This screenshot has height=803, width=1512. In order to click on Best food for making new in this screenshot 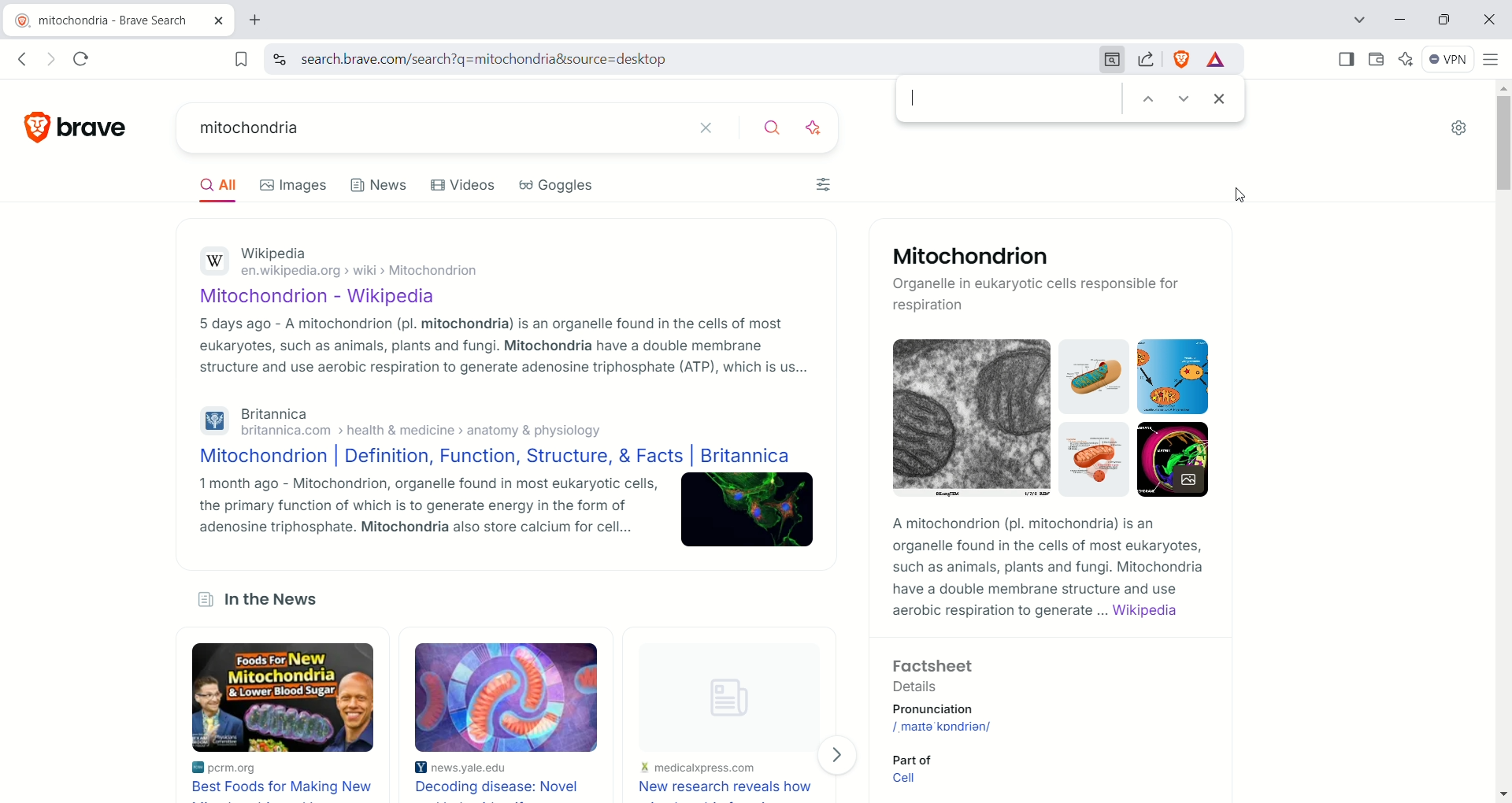, I will do `click(289, 788)`.